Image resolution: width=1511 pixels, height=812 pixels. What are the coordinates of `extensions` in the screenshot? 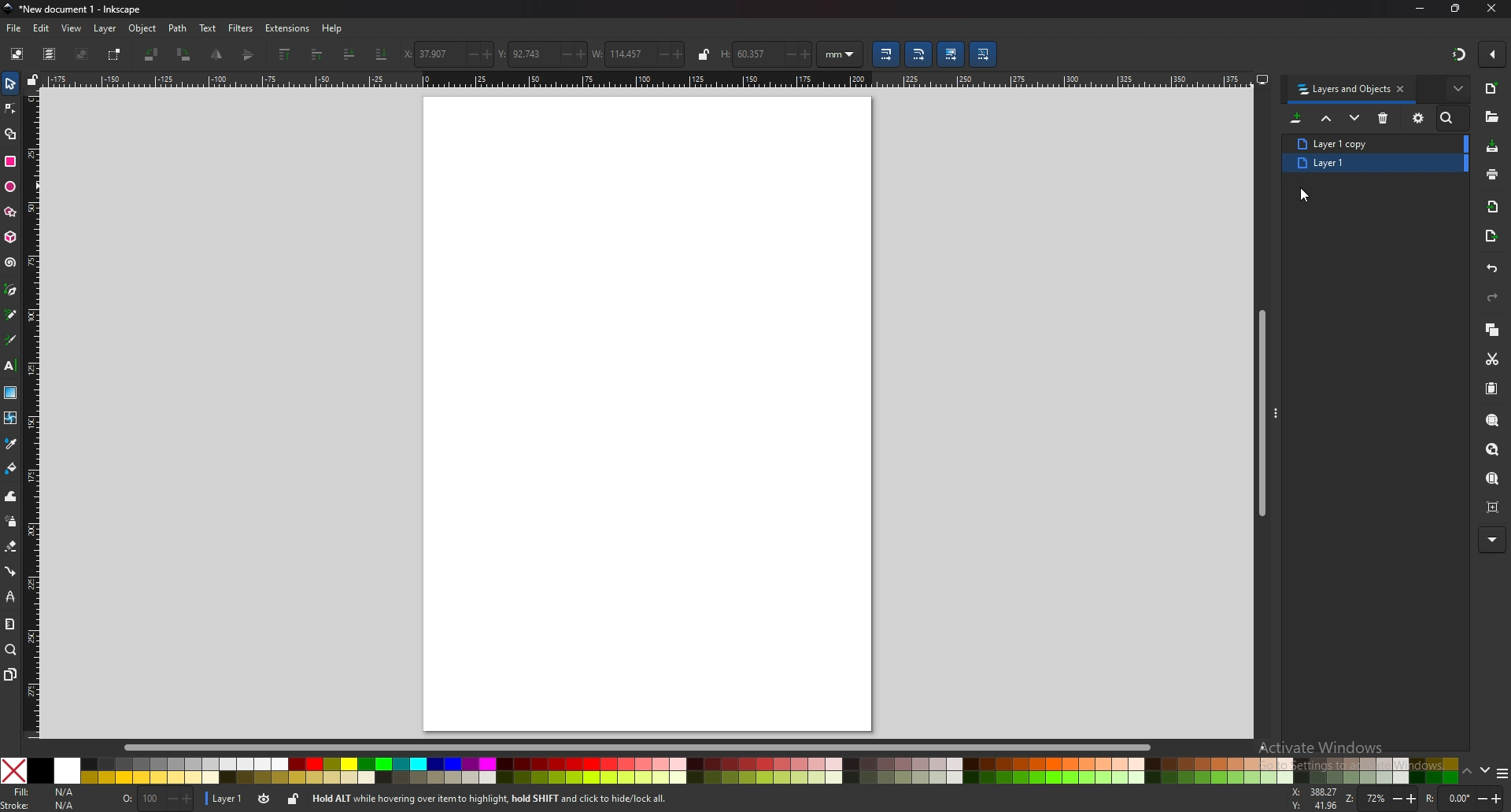 It's located at (287, 28).